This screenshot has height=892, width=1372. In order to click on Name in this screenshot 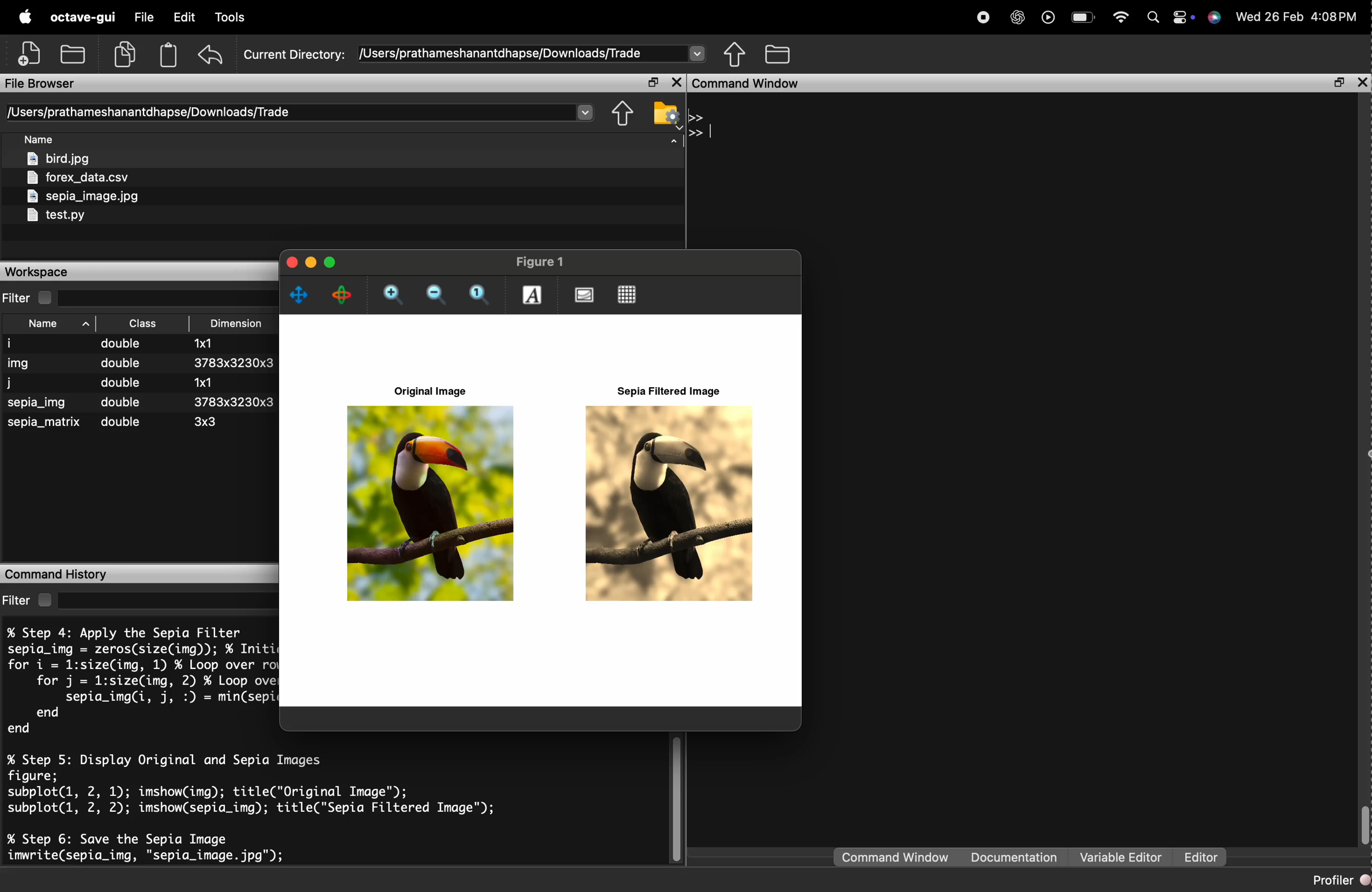, I will do `click(40, 138)`.